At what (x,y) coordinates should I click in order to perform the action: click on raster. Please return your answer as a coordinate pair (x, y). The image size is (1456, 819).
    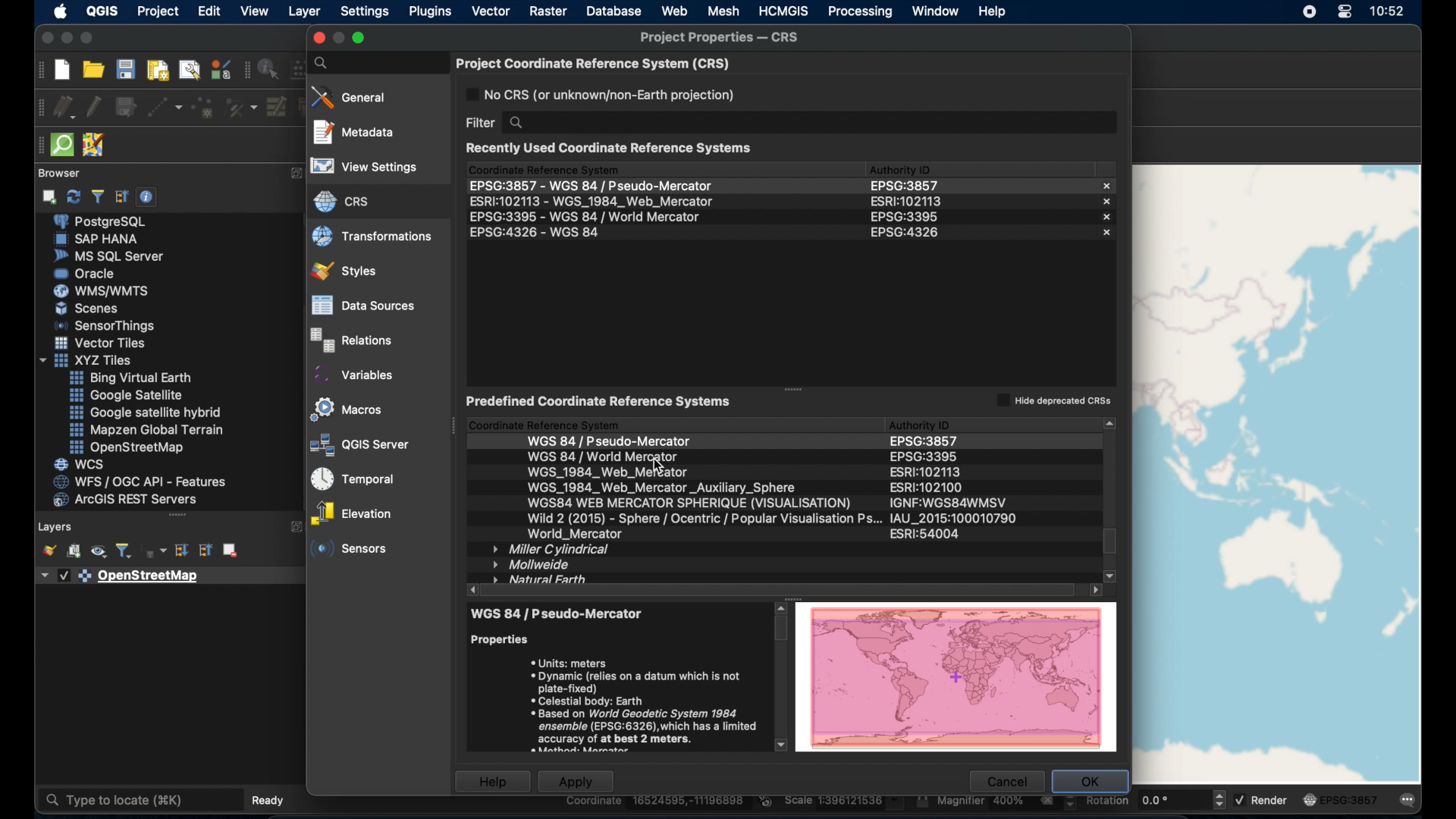
    Looking at the image, I should click on (548, 11).